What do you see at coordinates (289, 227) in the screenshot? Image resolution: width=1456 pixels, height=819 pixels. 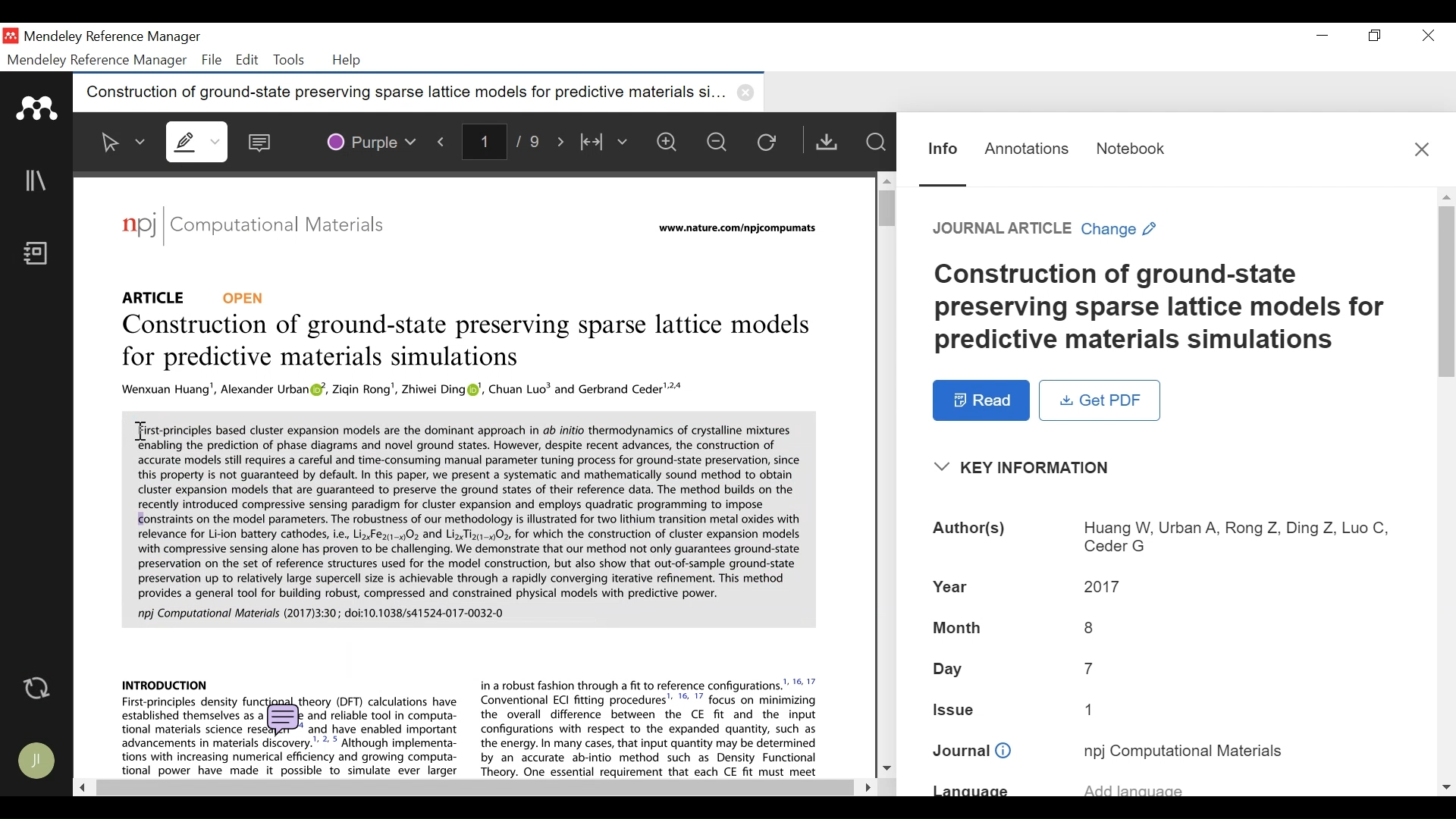 I see `Journal` at bounding box center [289, 227].